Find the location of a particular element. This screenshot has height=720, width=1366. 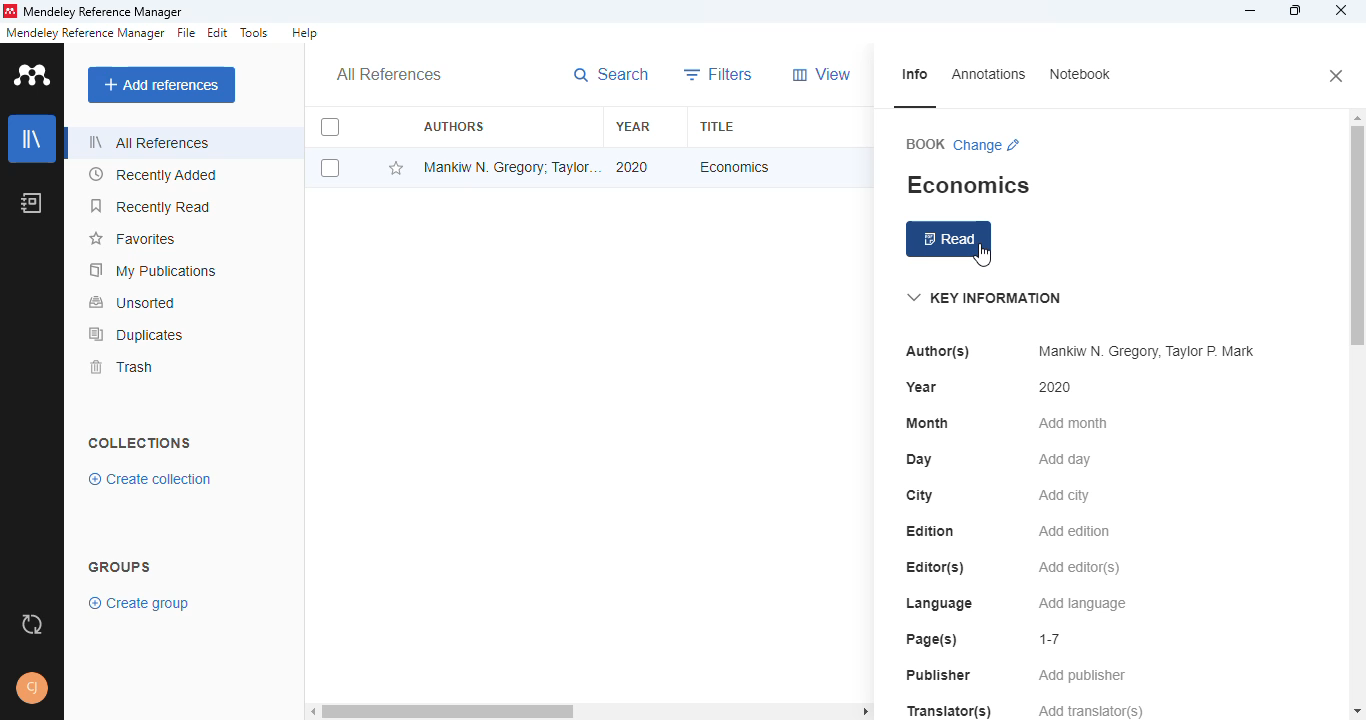

close is located at coordinates (1342, 11).